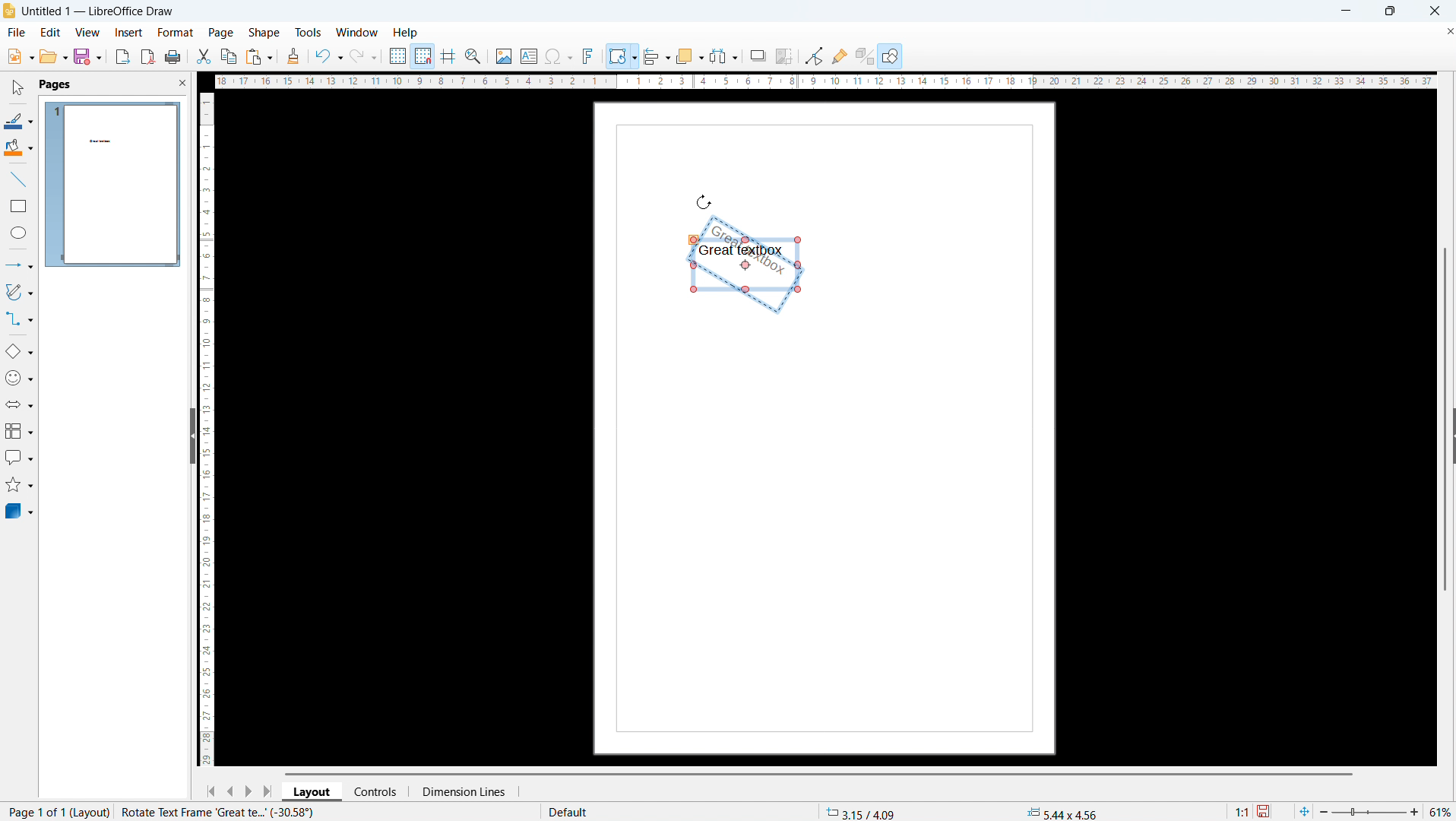 The image size is (1456, 821). I want to click on page 1, so click(113, 184).